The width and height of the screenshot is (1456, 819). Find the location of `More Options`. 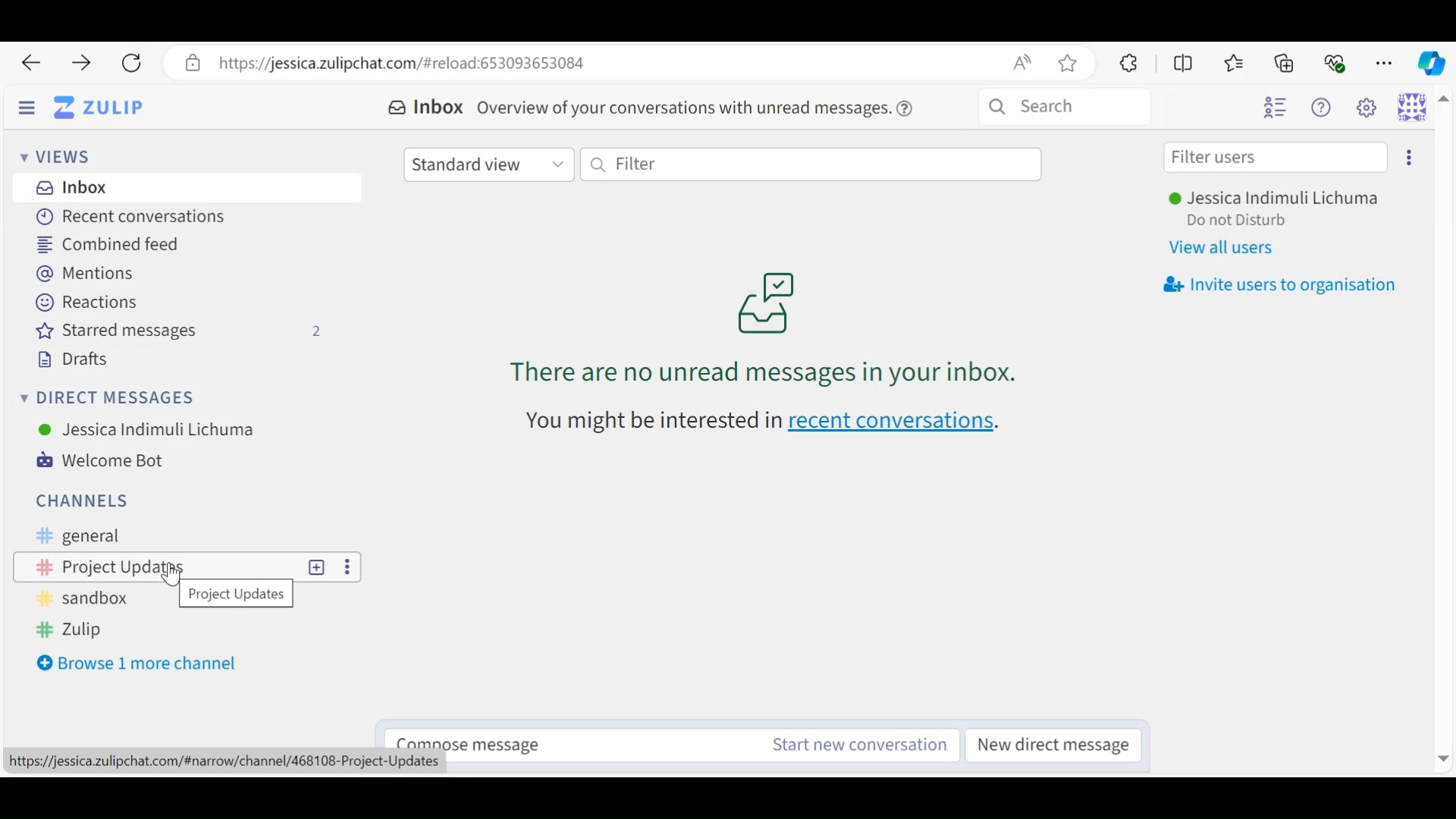

More Options is located at coordinates (348, 567).